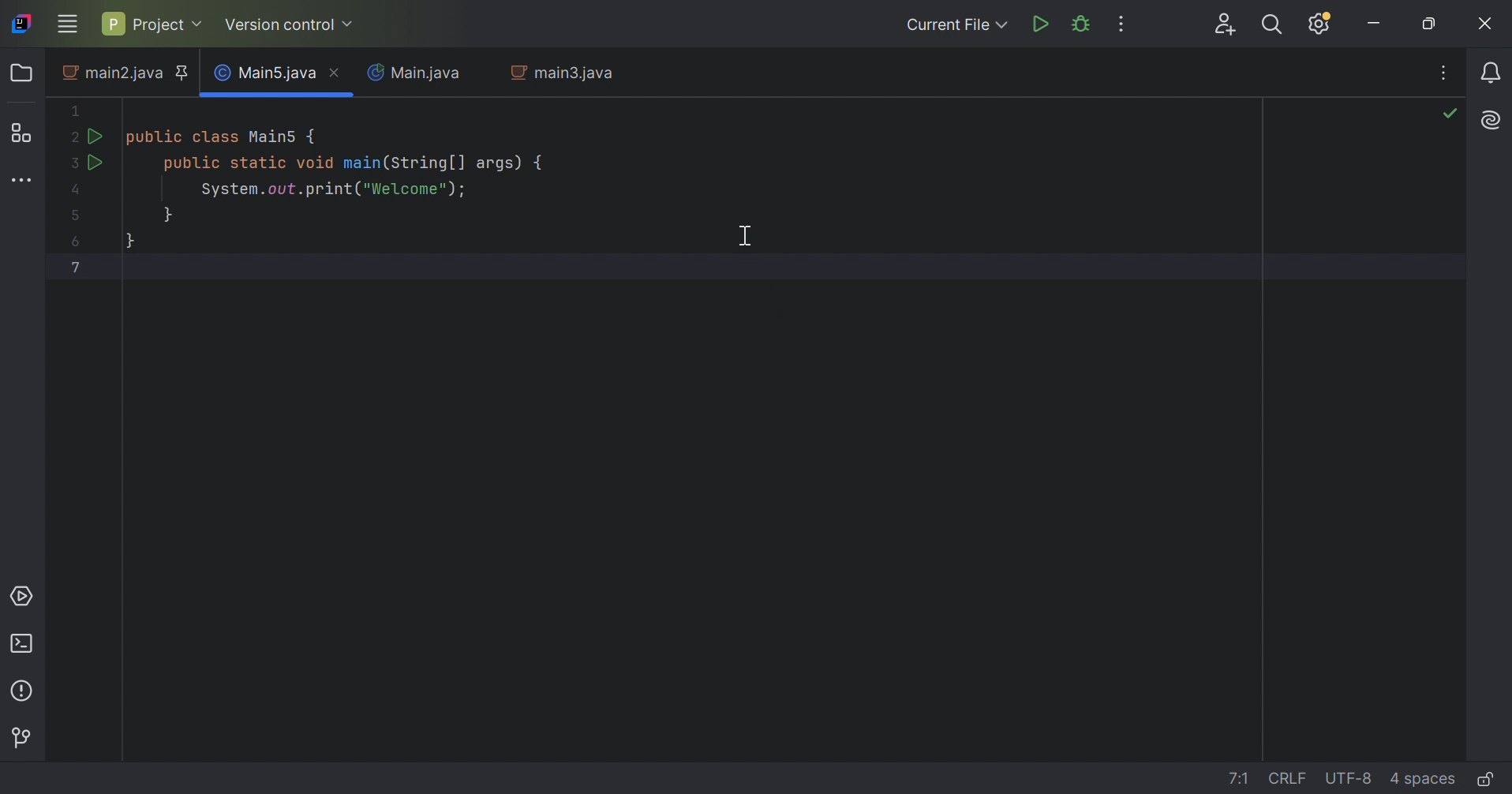 The height and width of the screenshot is (794, 1512). Describe the element at coordinates (1245, 779) in the screenshot. I see `go to line` at that location.